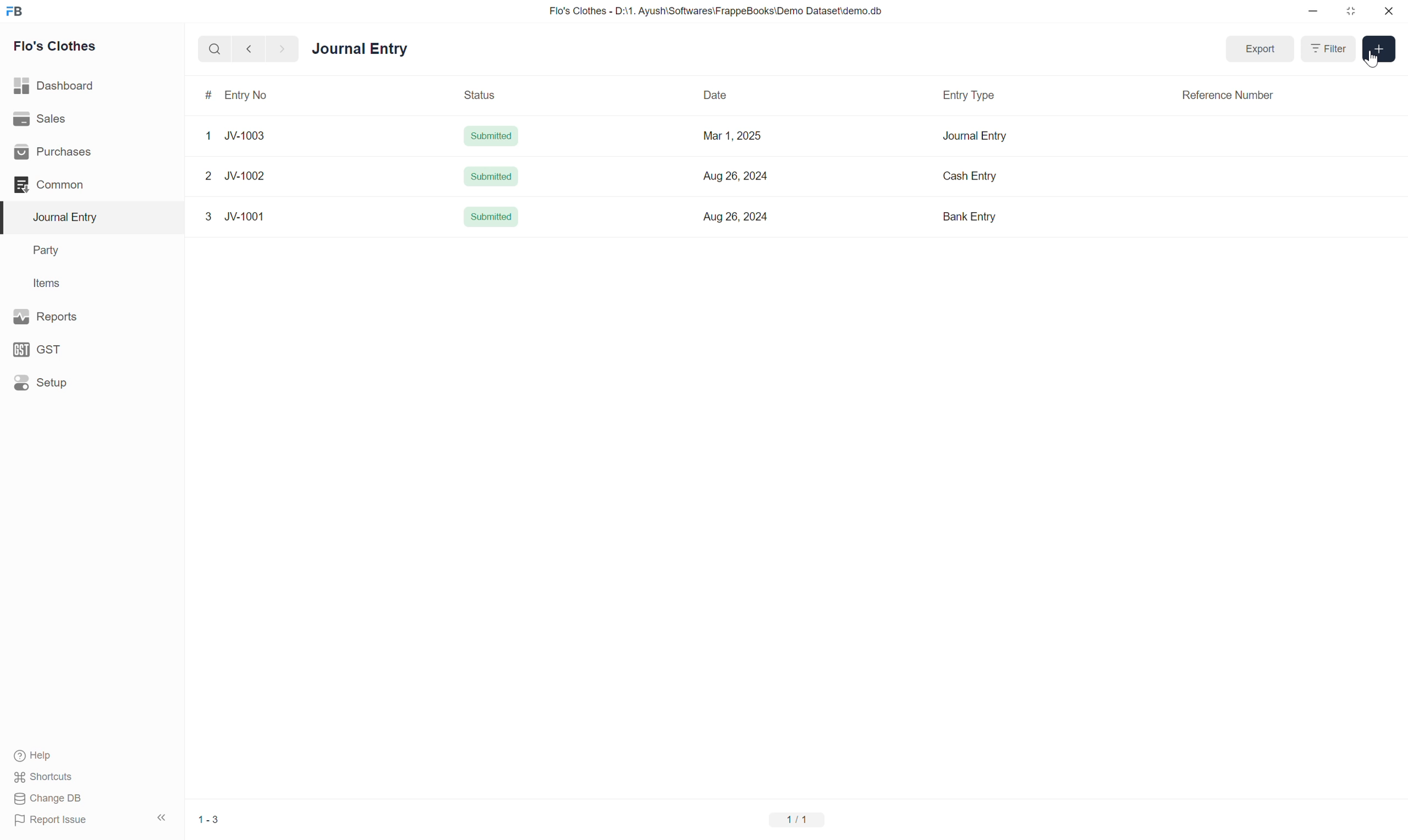 The width and height of the screenshot is (1408, 840). Describe the element at coordinates (974, 137) in the screenshot. I see `Journal Entry` at that location.